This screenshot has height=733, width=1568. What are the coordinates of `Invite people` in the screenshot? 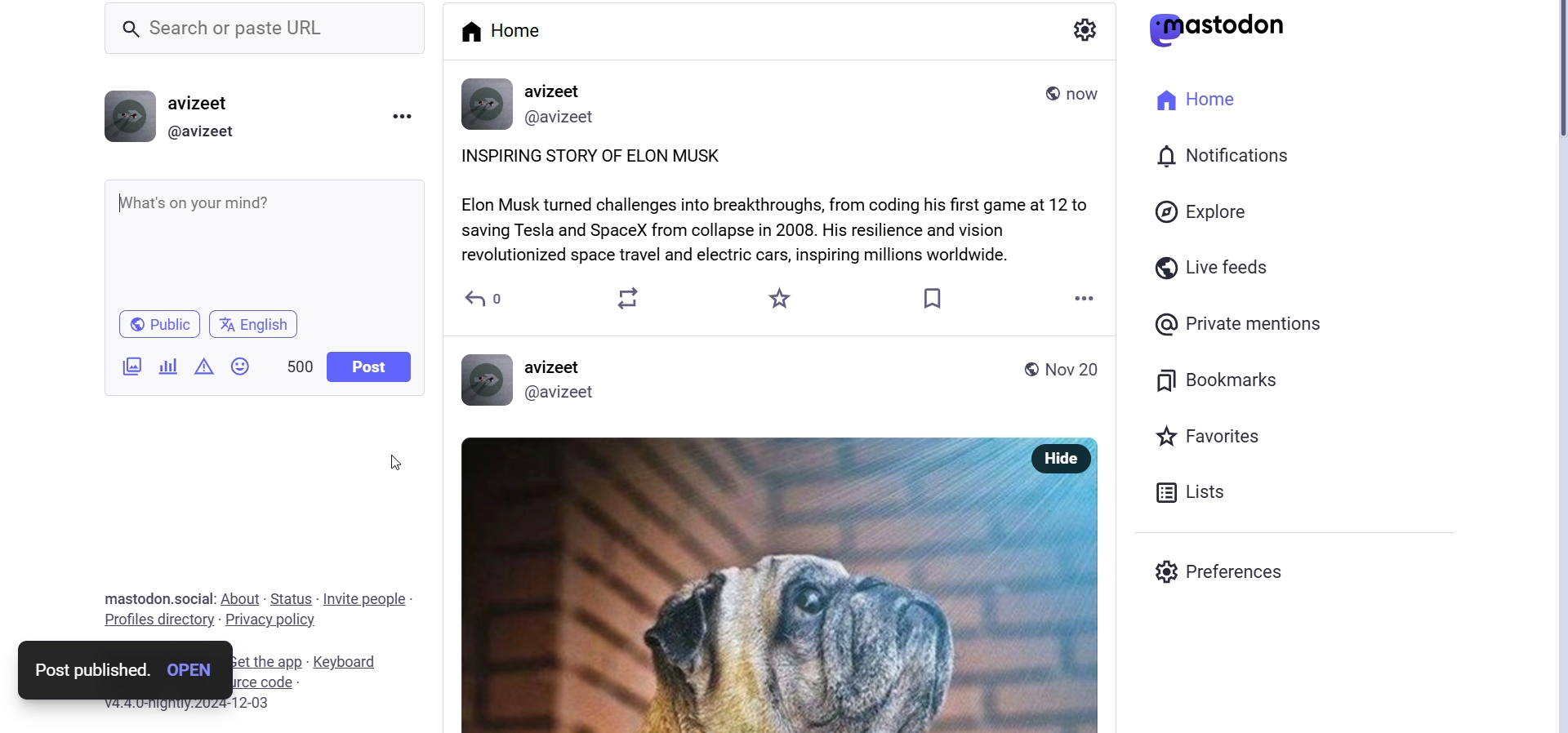 It's located at (367, 598).